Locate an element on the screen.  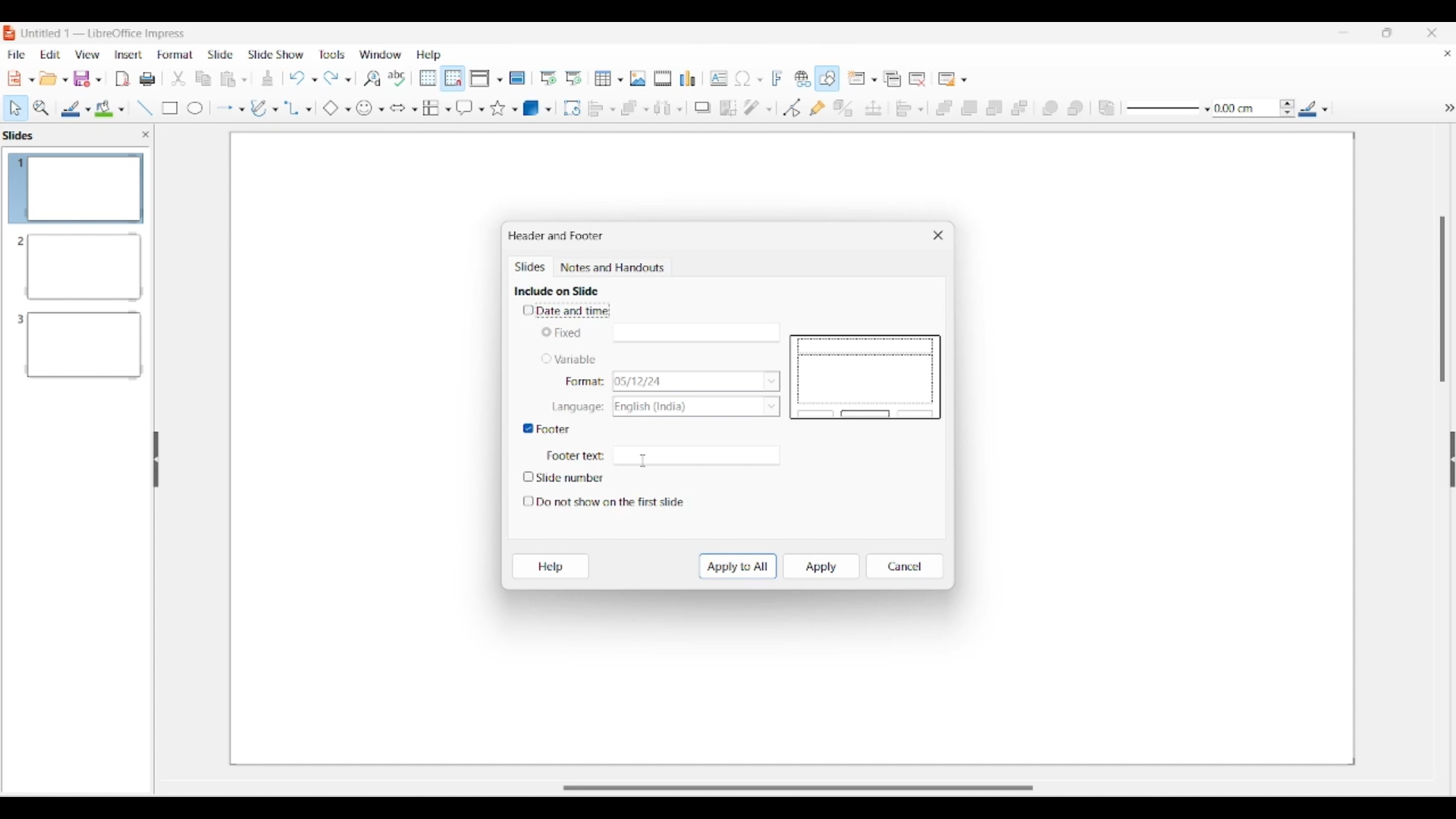
Bring to front is located at coordinates (944, 108).